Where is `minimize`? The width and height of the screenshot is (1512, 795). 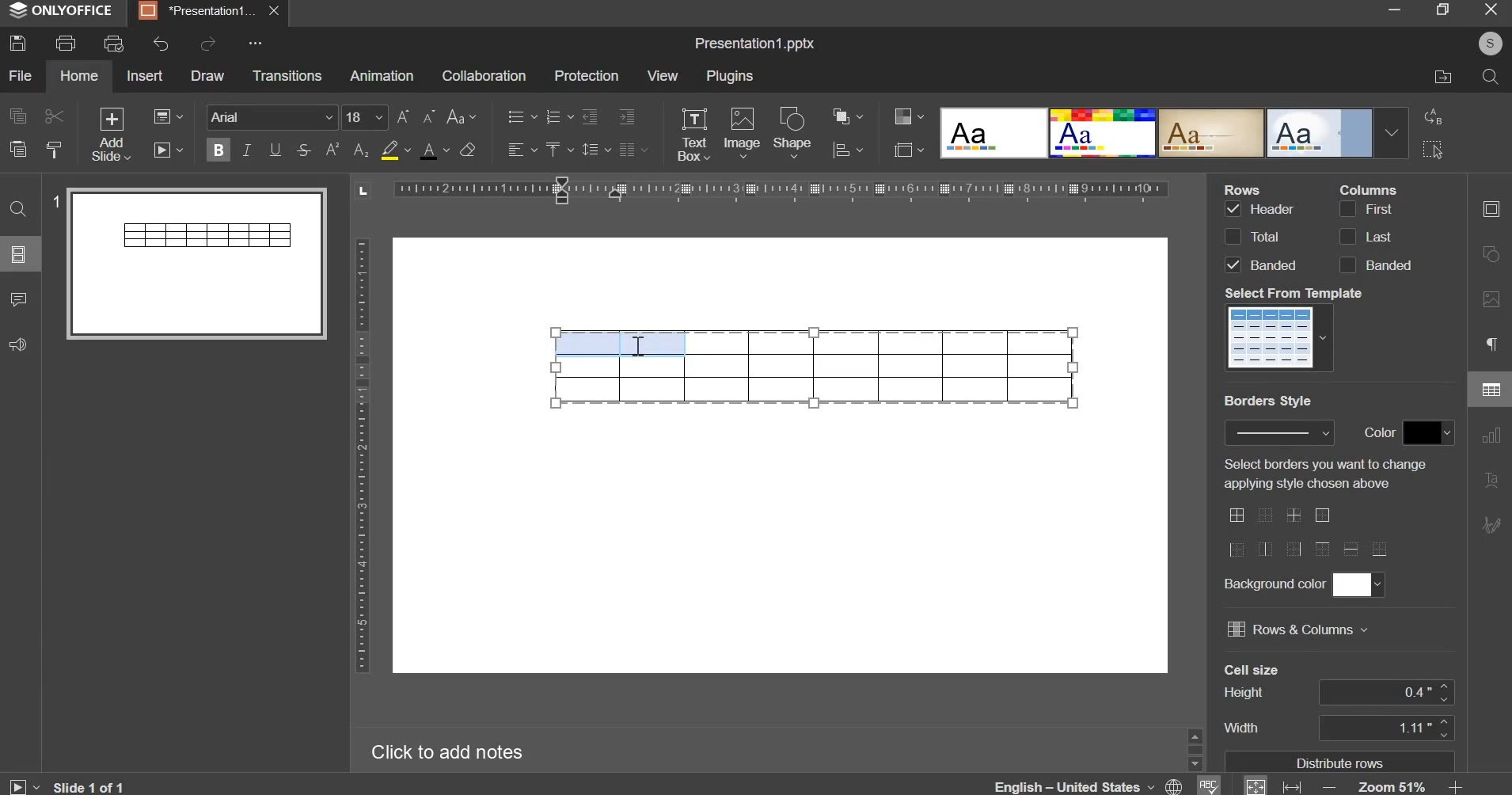
minimize is located at coordinates (1394, 11).